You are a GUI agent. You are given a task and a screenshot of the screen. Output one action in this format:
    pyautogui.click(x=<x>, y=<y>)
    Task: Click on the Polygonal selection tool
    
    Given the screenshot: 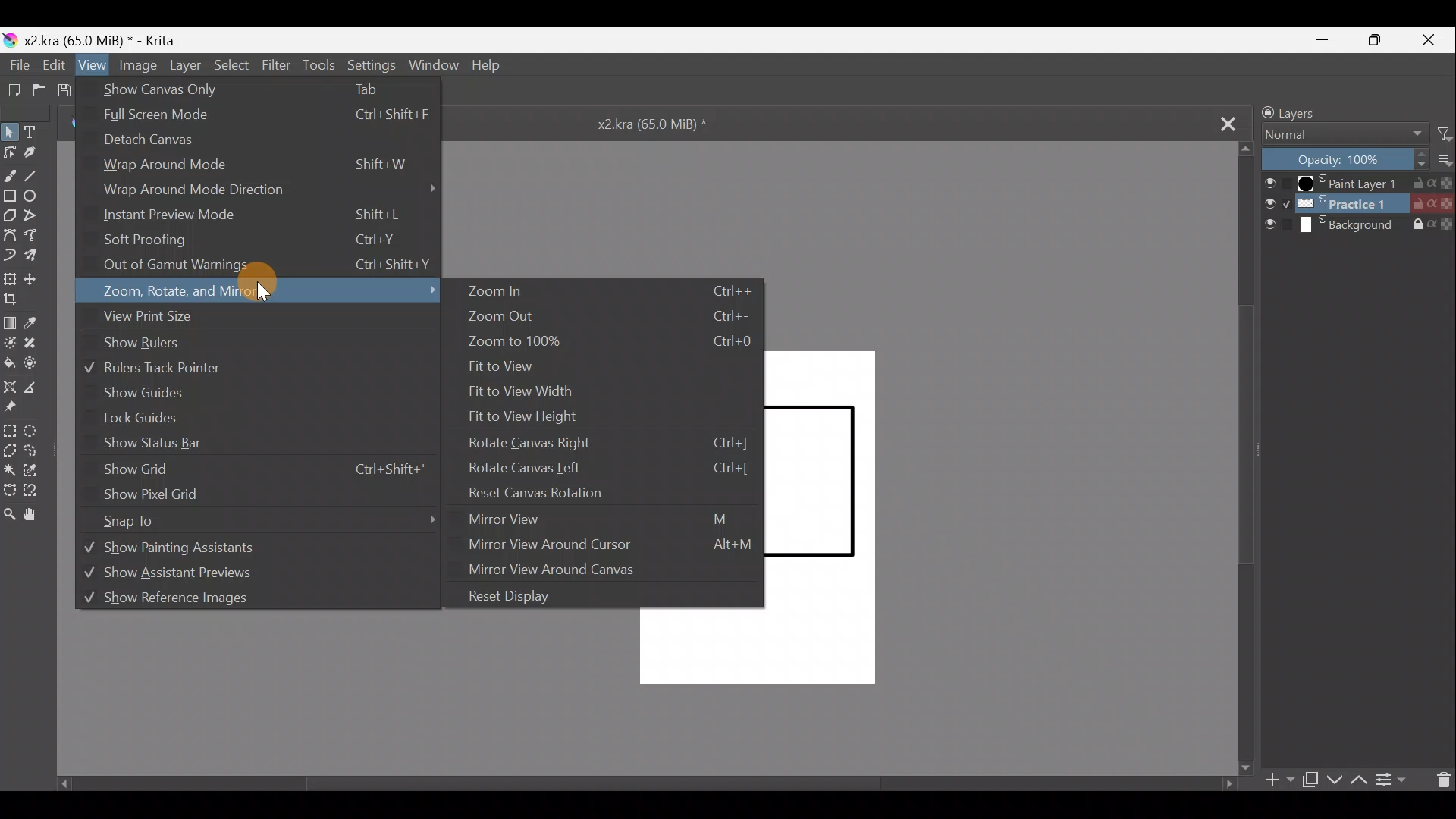 What is the action you would take?
    pyautogui.click(x=13, y=450)
    